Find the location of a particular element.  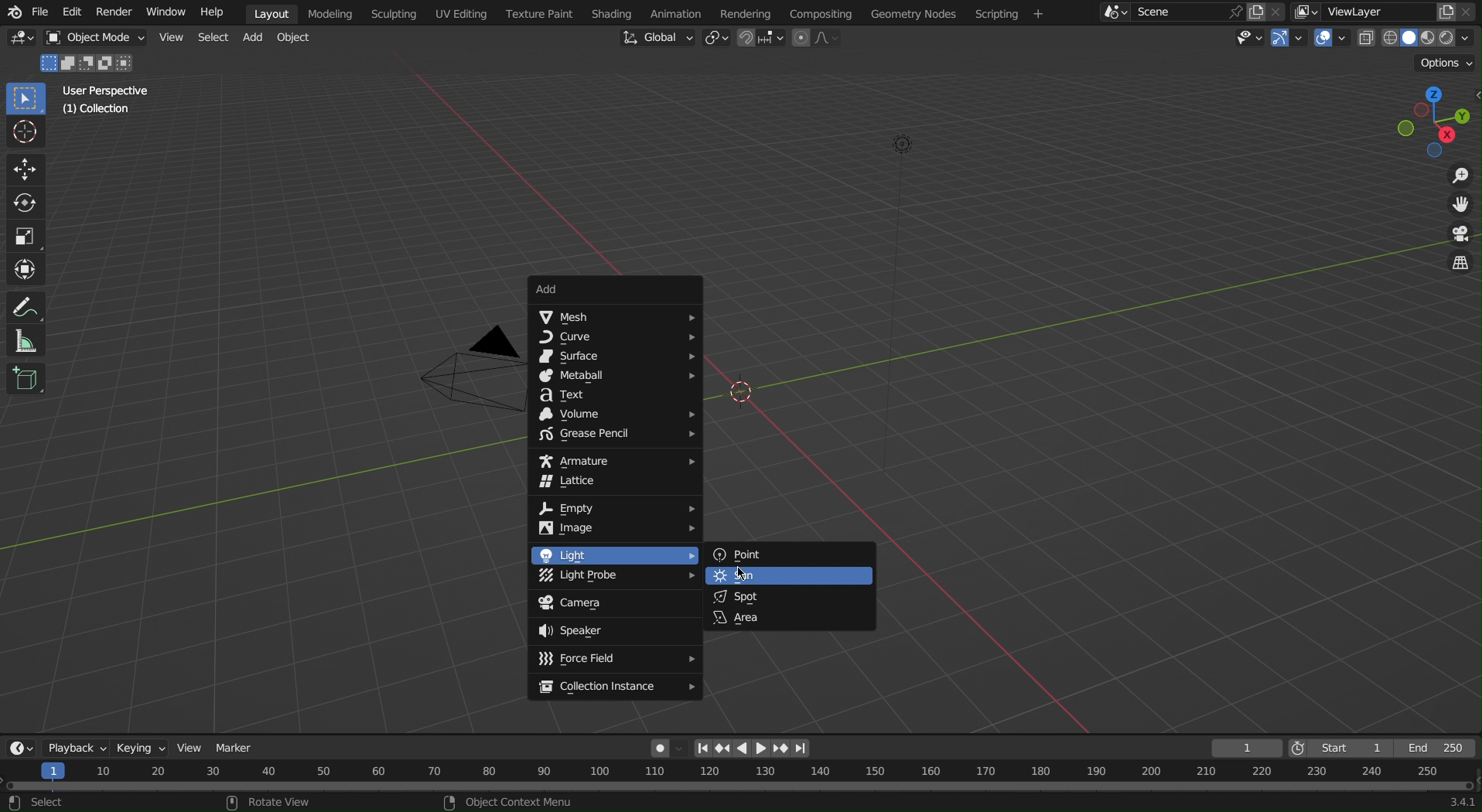

Area is located at coordinates (790, 618).